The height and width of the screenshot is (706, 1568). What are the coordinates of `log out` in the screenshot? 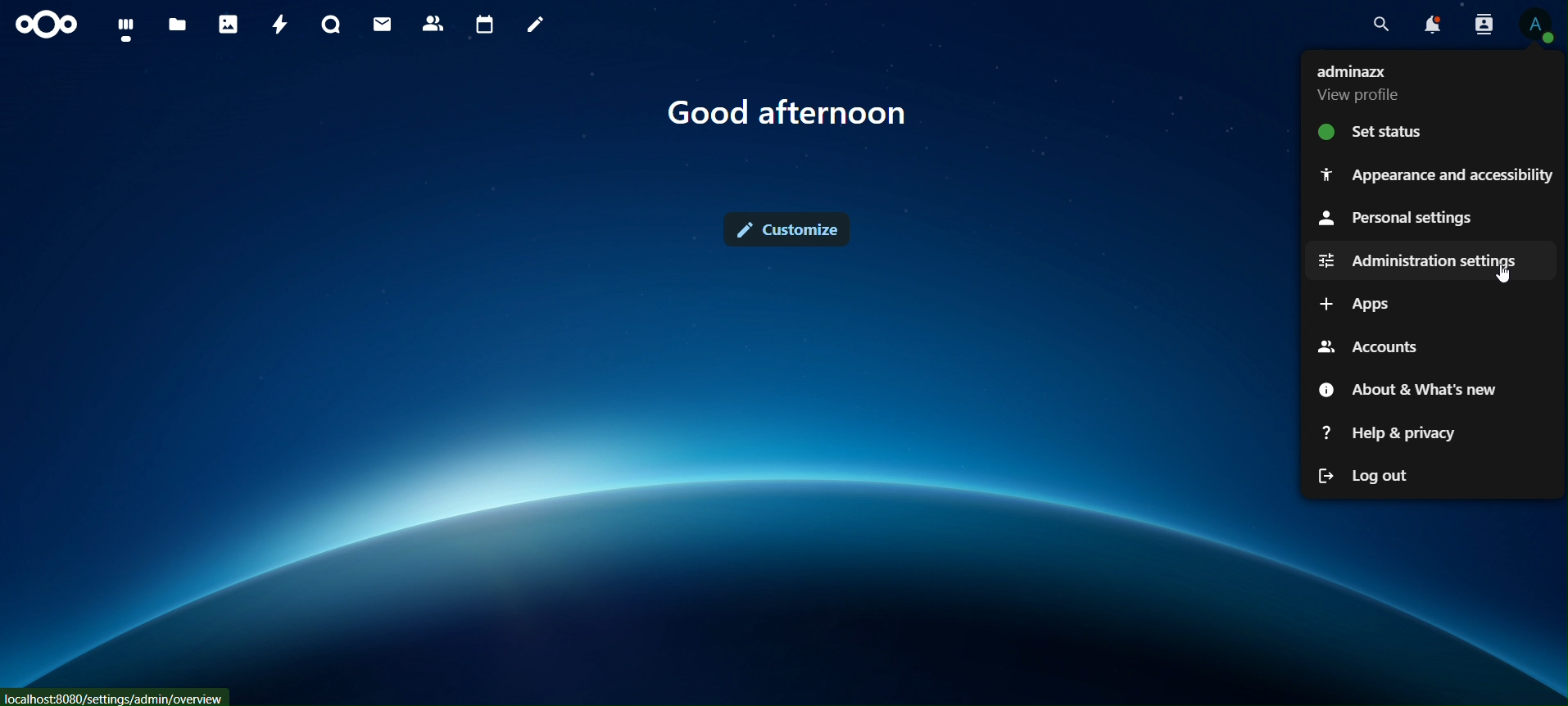 It's located at (1364, 474).